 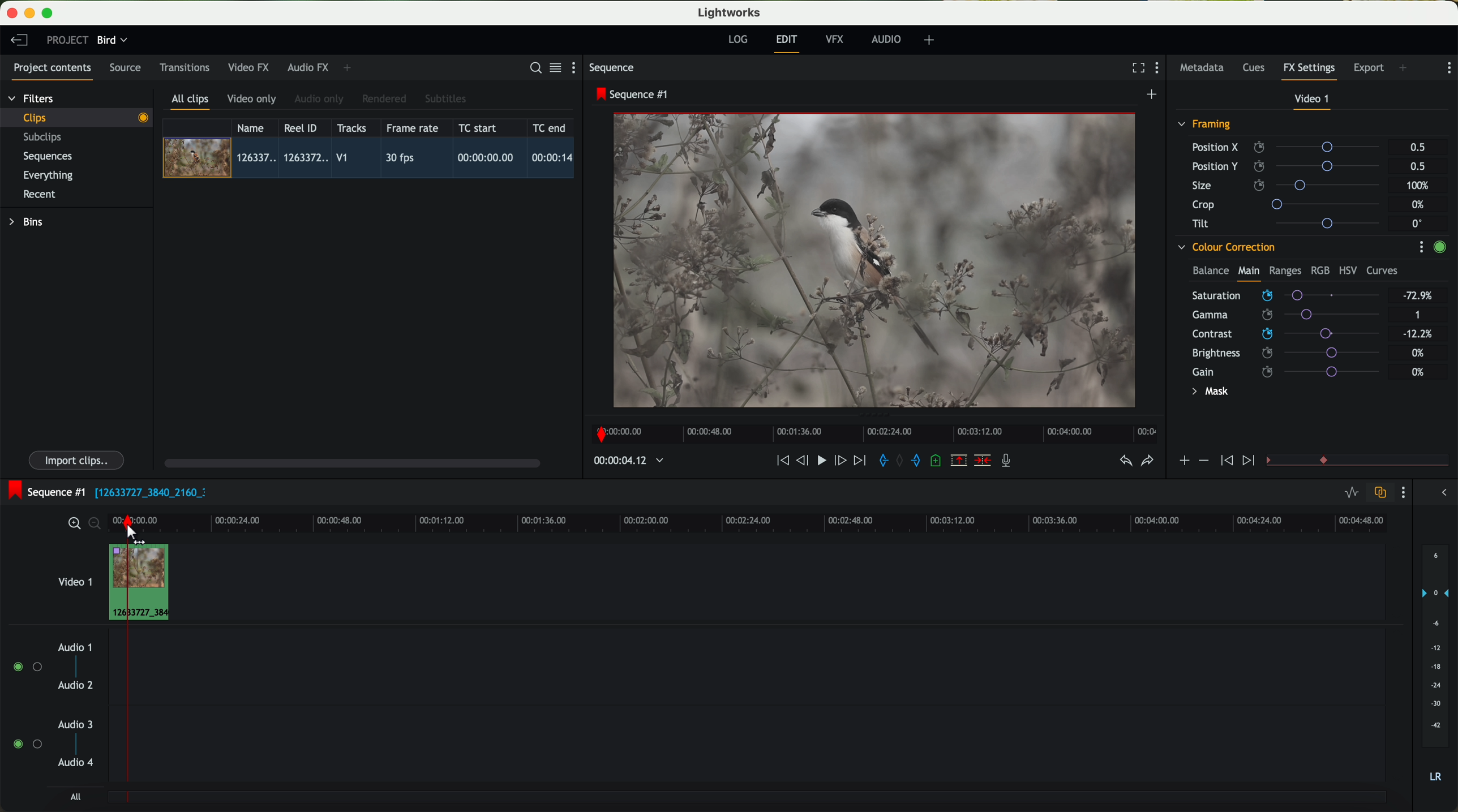 What do you see at coordinates (49, 14) in the screenshot?
I see `maximize program` at bounding box center [49, 14].